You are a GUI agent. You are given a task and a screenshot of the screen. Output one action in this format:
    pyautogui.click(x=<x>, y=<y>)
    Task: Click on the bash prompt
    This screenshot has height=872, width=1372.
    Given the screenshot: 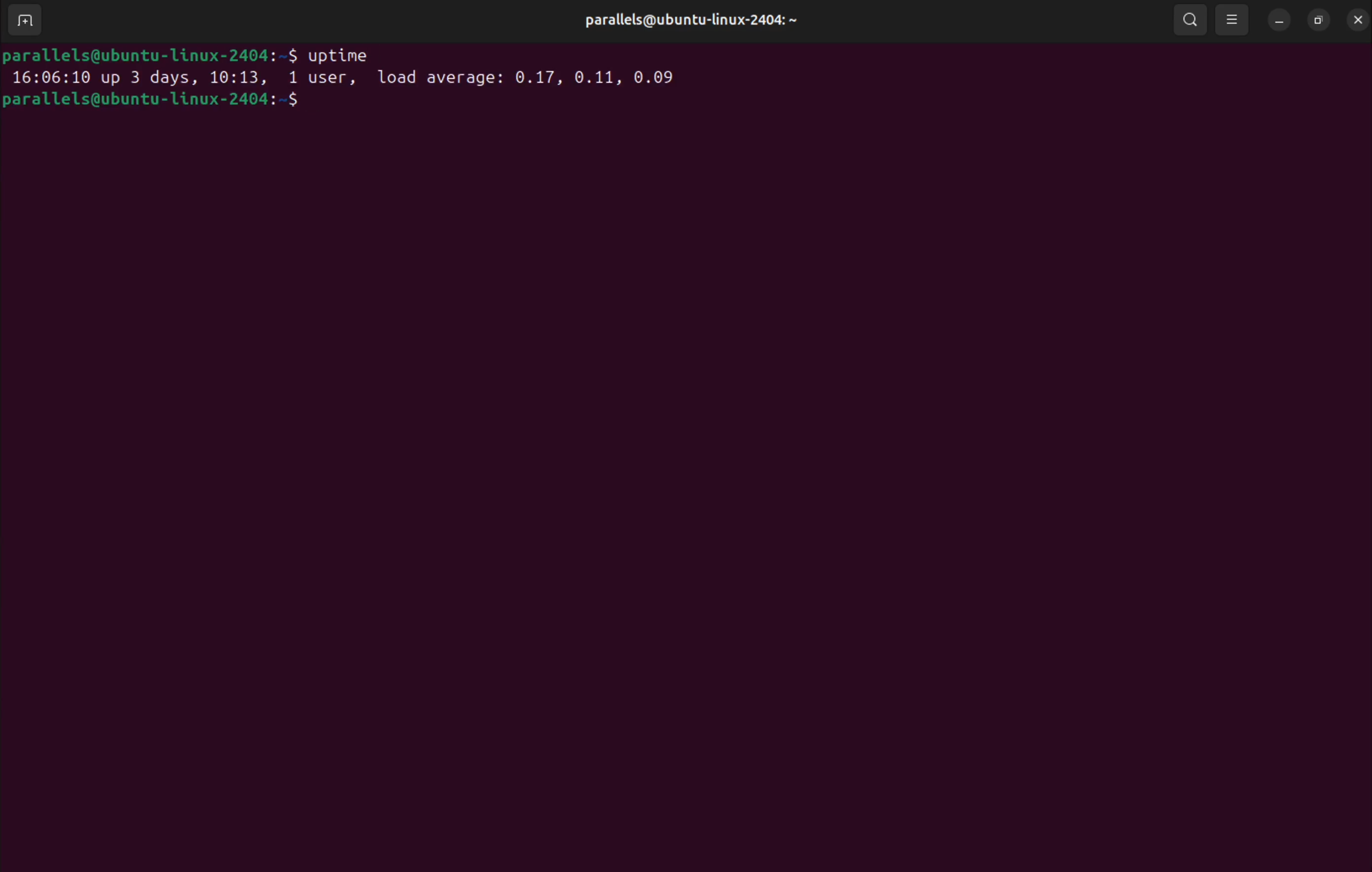 What is the action you would take?
    pyautogui.click(x=162, y=101)
    